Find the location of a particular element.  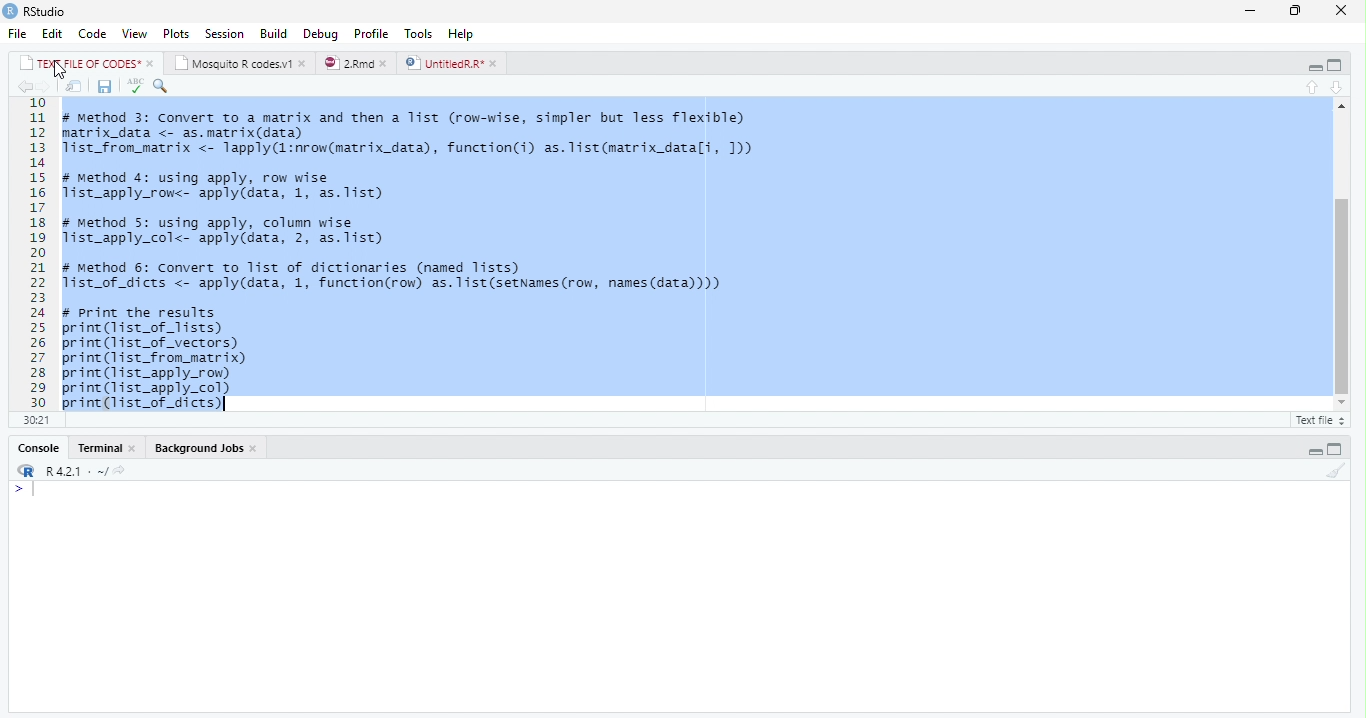

Scroll is located at coordinates (1340, 257).